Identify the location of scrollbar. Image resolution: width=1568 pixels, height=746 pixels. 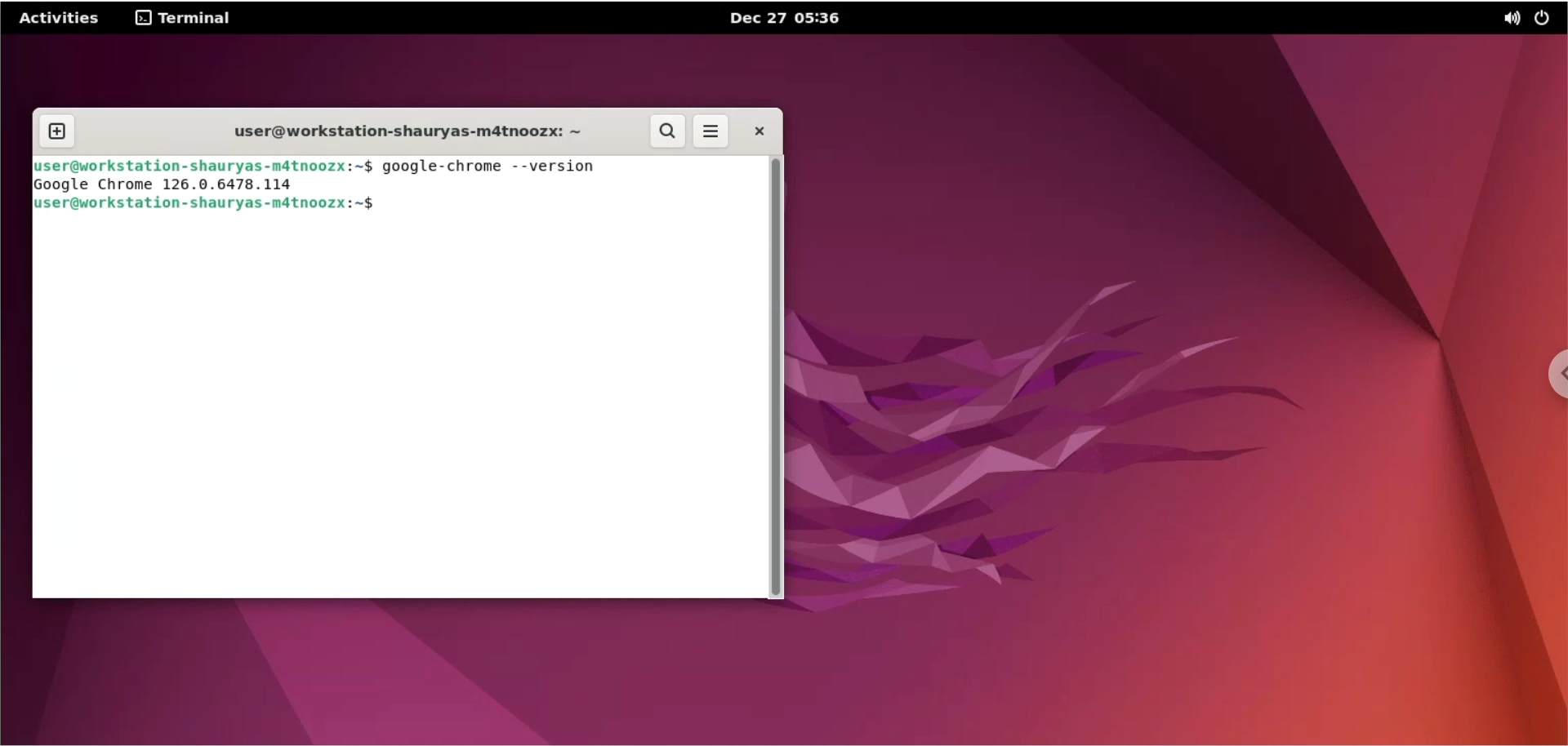
(778, 377).